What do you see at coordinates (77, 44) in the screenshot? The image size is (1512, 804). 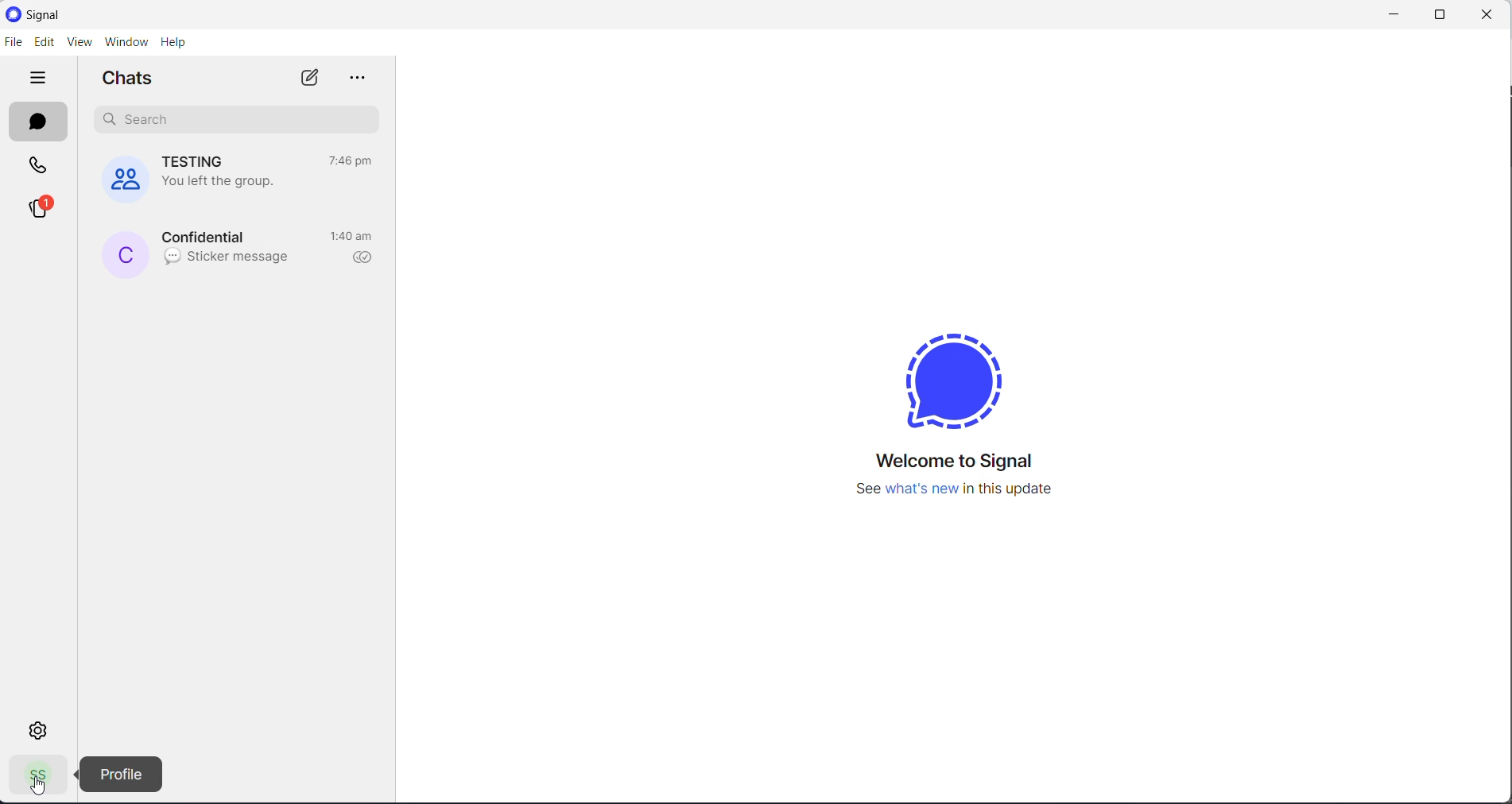 I see `VIEW` at bounding box center [77, 44].